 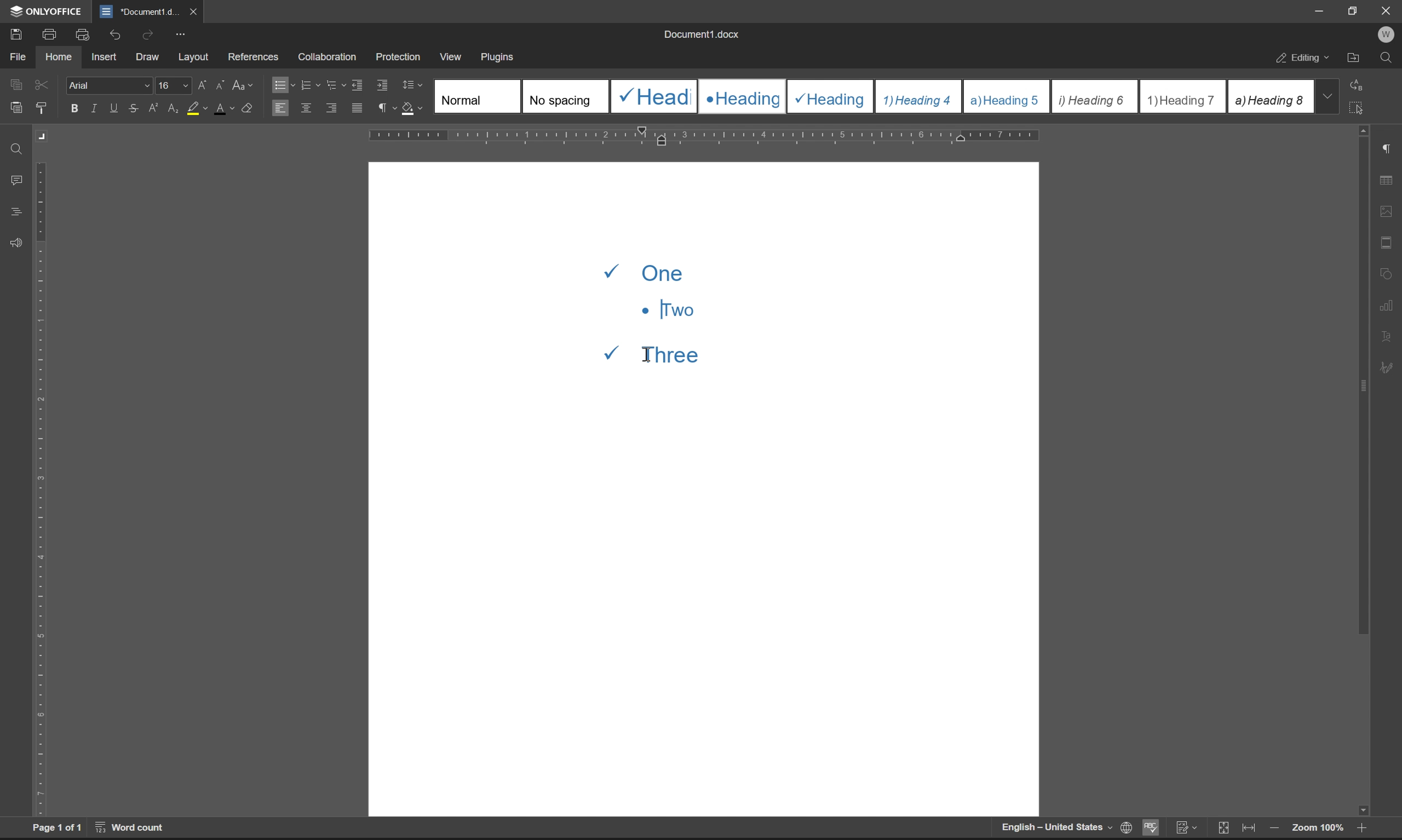 I want to click on Heading 2, so click(x=742, y=97).